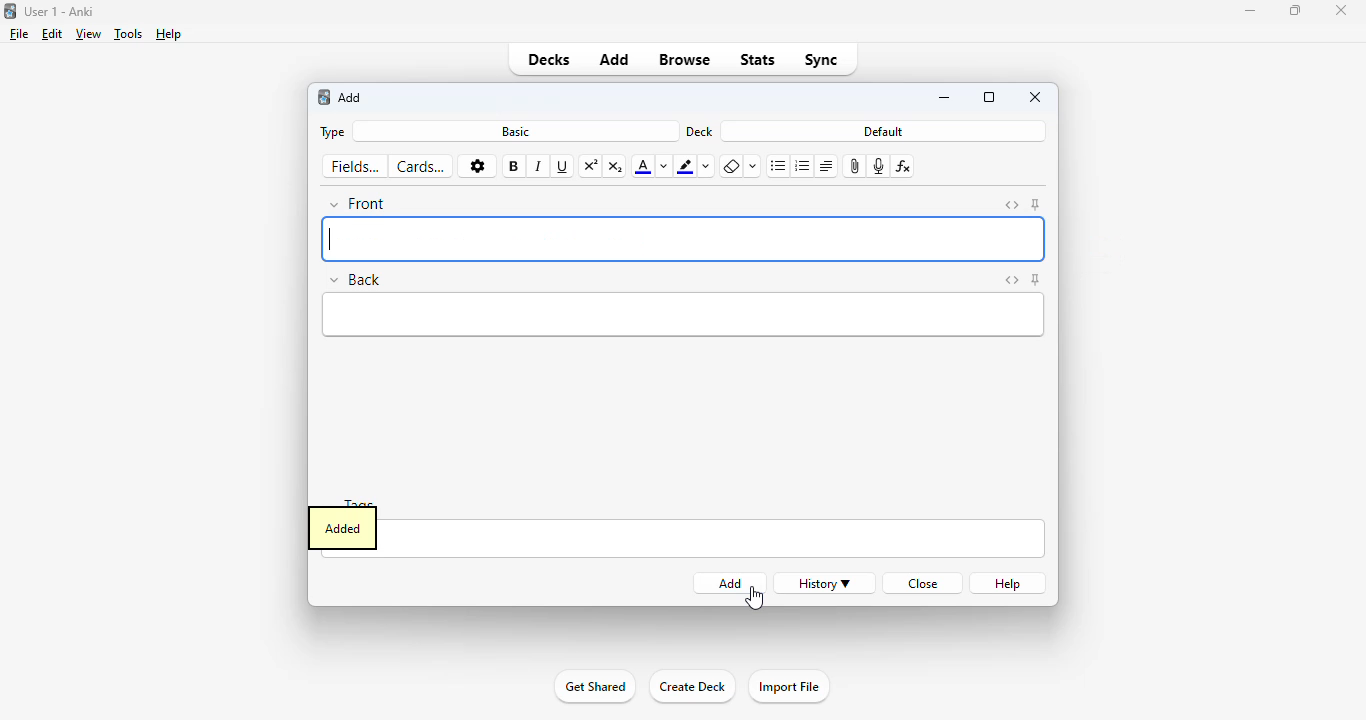 Image resolution: width=1366 pixels, height=720 pixels. I want to click on minimize, so click(944, 98).